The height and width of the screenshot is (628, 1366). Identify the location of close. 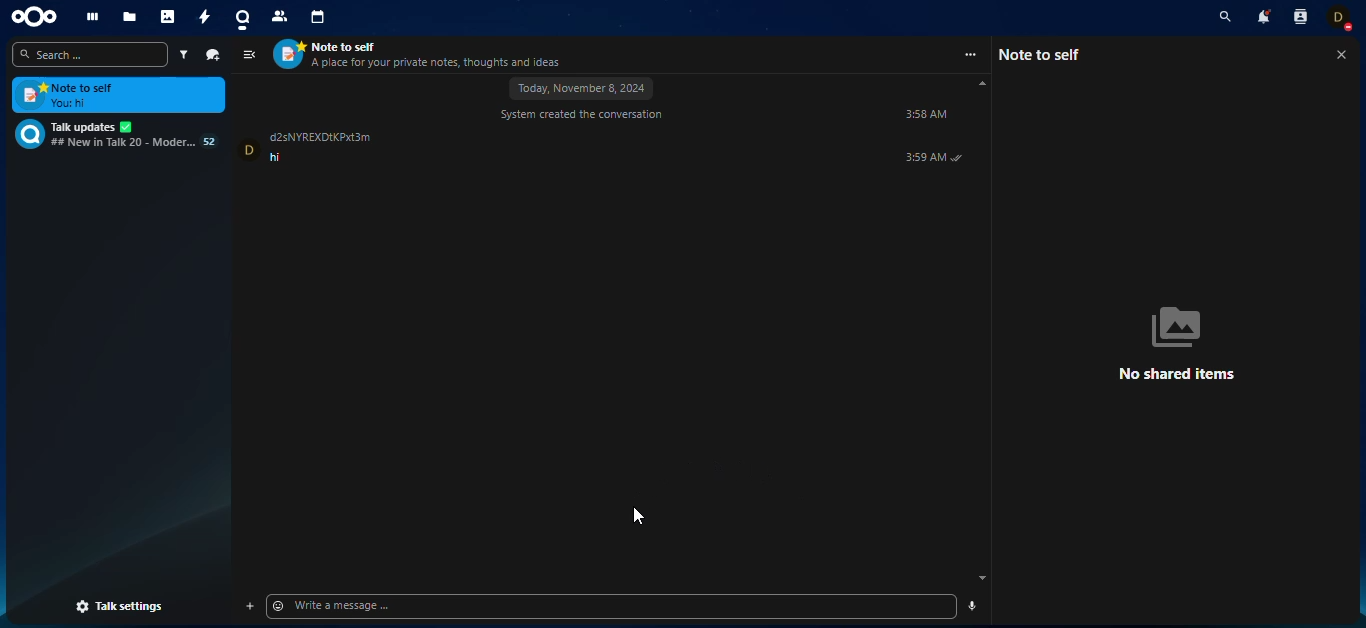
(1340, 56).